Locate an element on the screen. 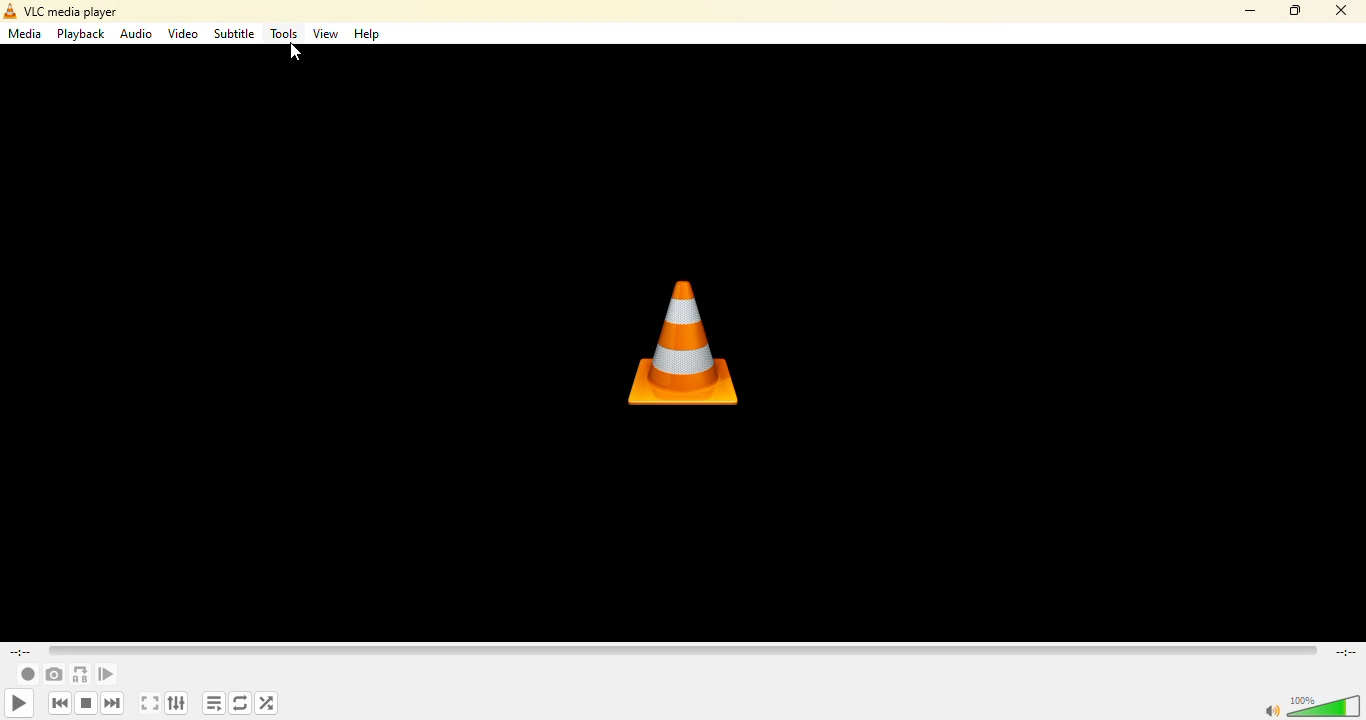 The width and height of the screenshot is (1366, 720). mute is located at coordinates (1269, 712).